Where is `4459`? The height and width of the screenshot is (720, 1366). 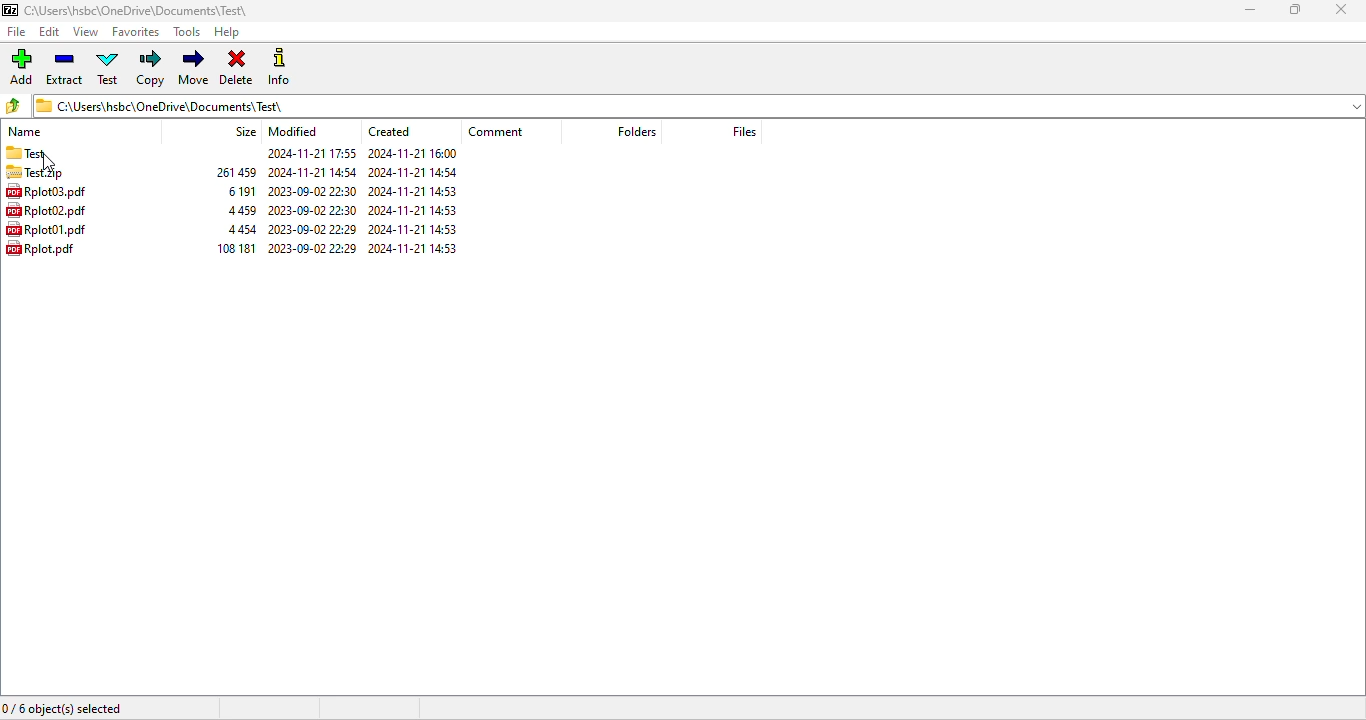
4459 is located at coordinates (240, 210).